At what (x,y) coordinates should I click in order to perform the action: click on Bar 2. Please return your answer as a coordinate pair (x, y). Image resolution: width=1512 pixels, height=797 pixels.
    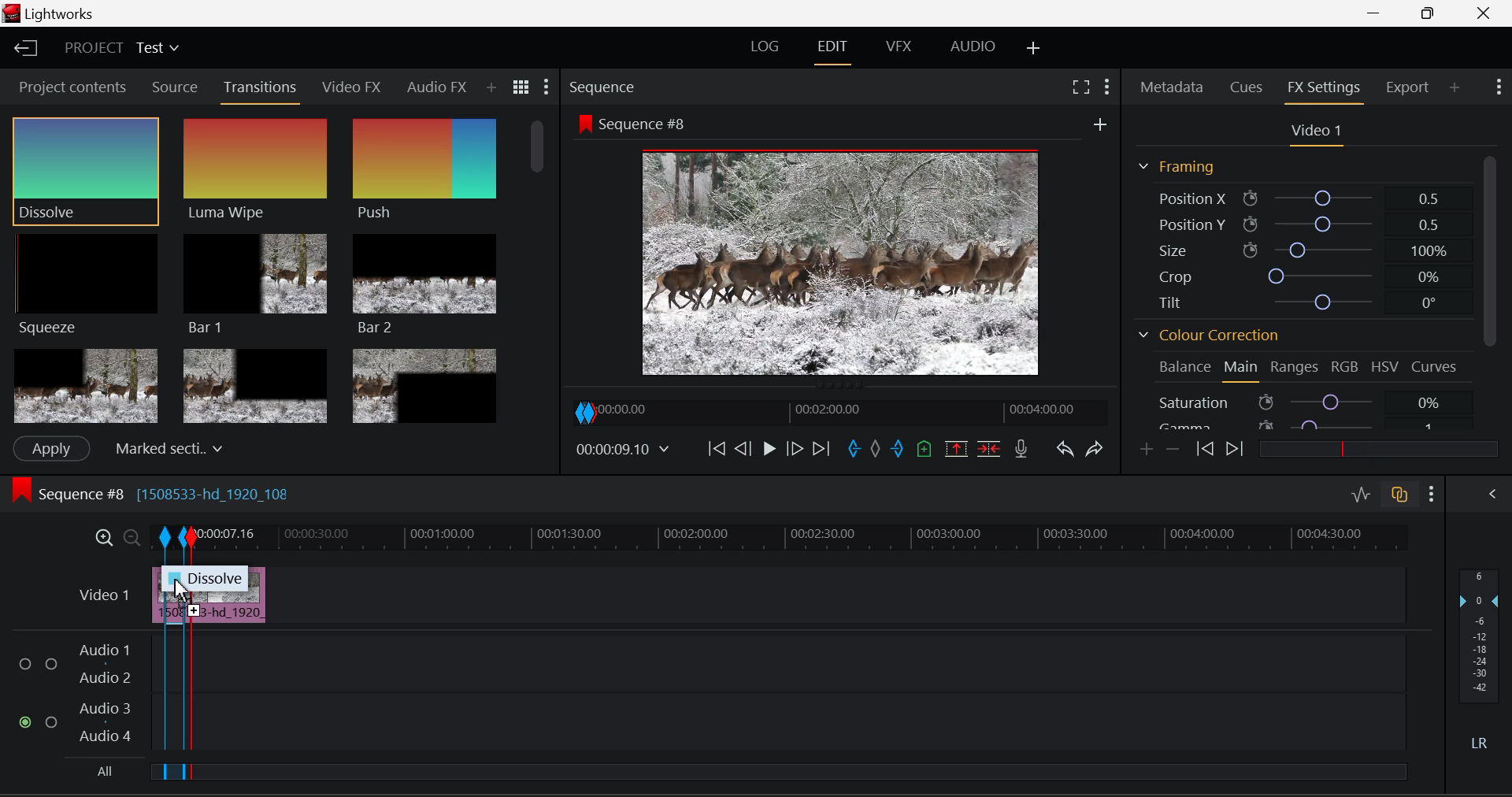
    Looking at the image, I should click on (424, 284).